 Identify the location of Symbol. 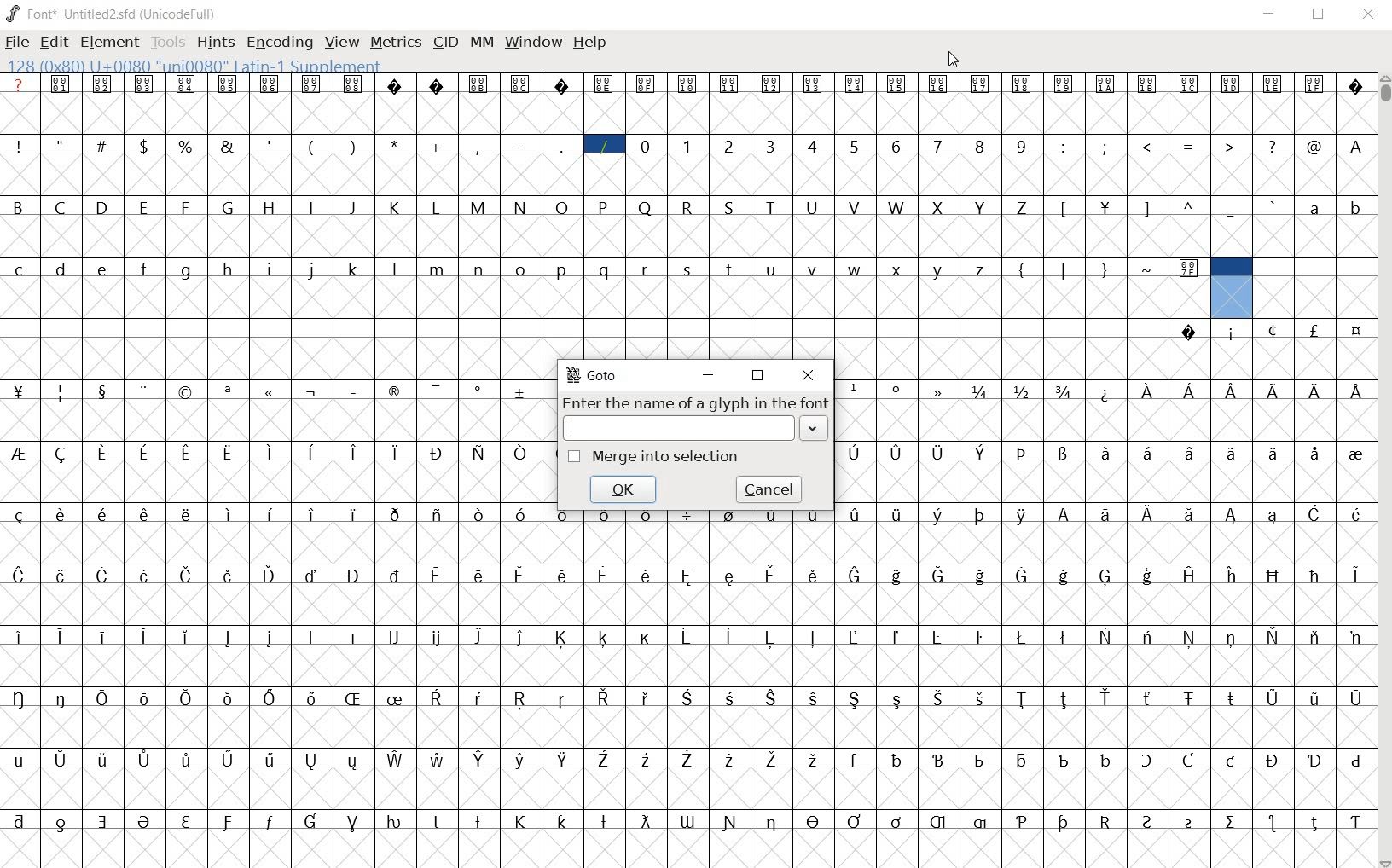
(937, 819).